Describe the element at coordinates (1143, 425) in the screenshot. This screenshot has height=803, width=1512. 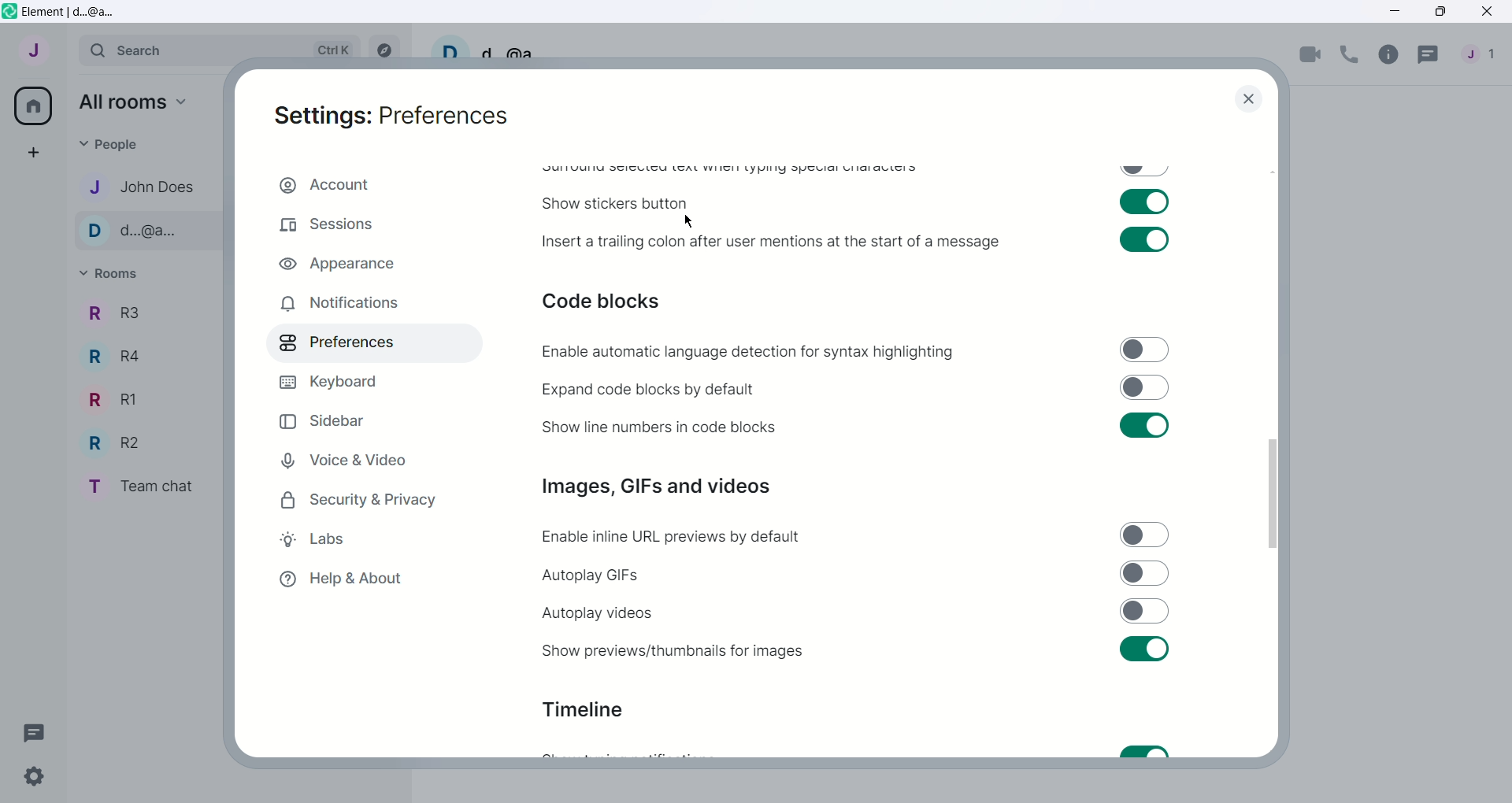
I see `Toggle swtich on for show line numbers in code blocks` at that location.